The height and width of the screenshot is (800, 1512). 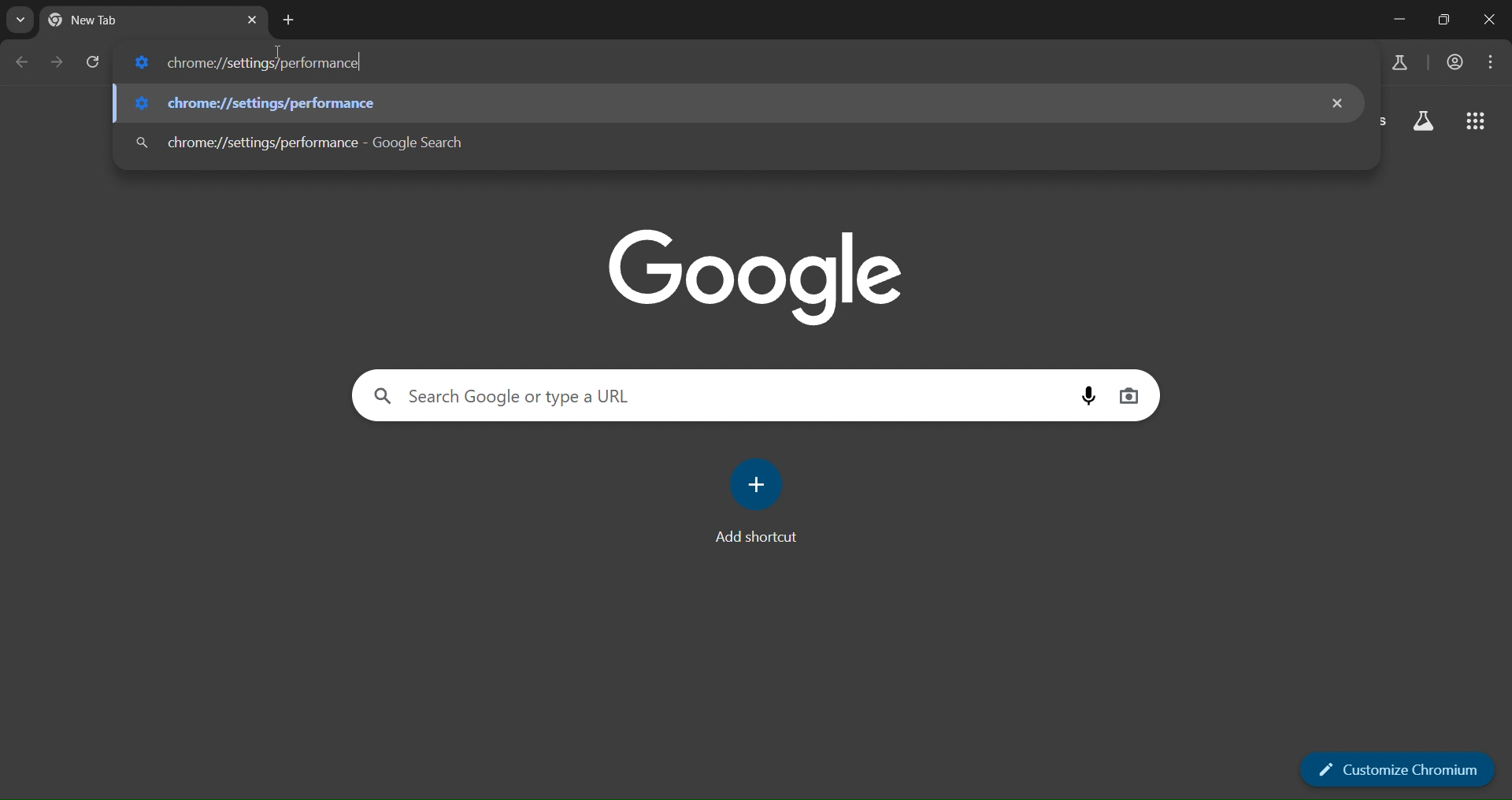 I want to click on search labs, so click(x=1396, y=64).